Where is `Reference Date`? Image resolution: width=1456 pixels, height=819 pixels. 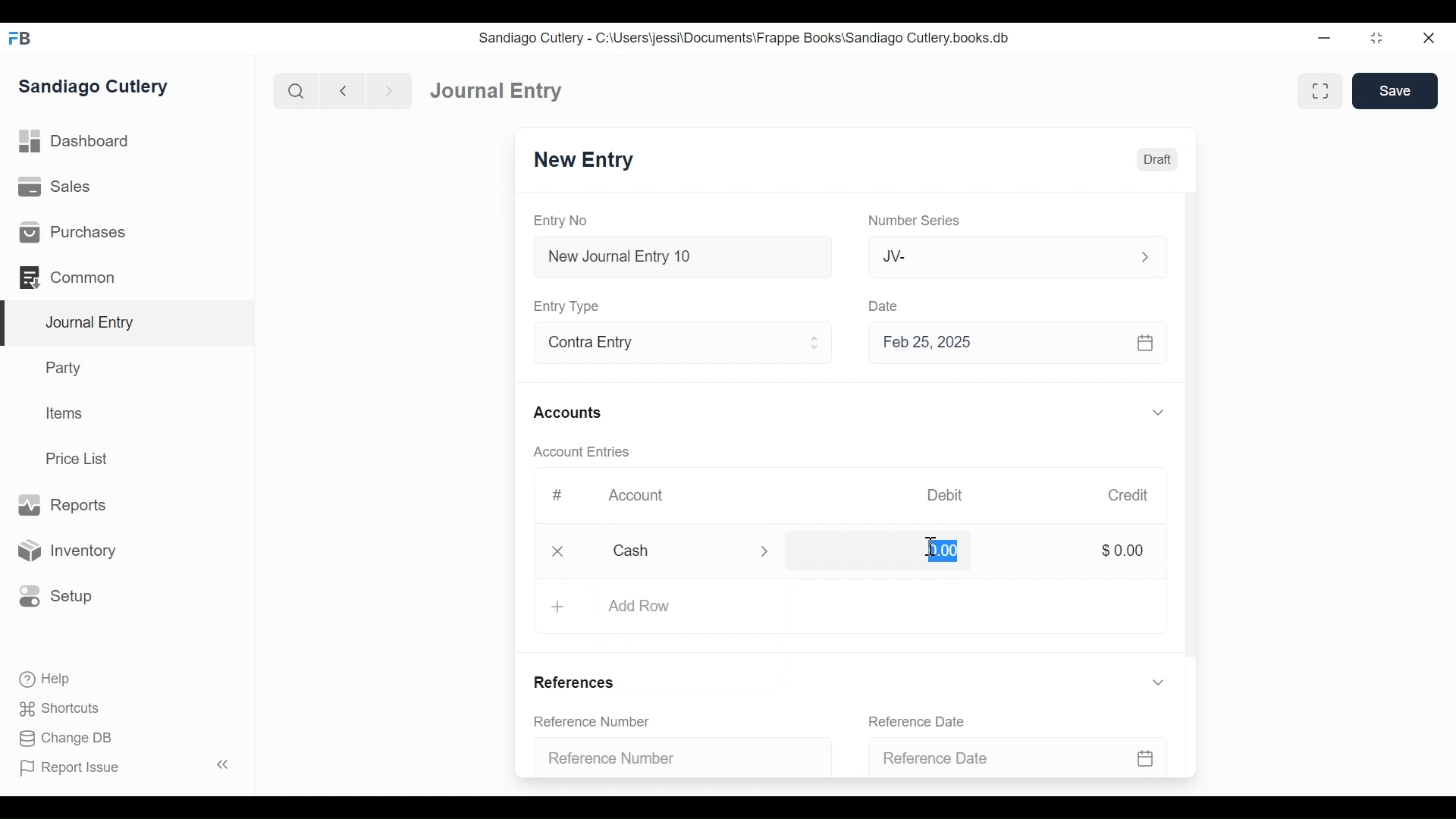
Reference Date is located at coordinates (1016, 752).